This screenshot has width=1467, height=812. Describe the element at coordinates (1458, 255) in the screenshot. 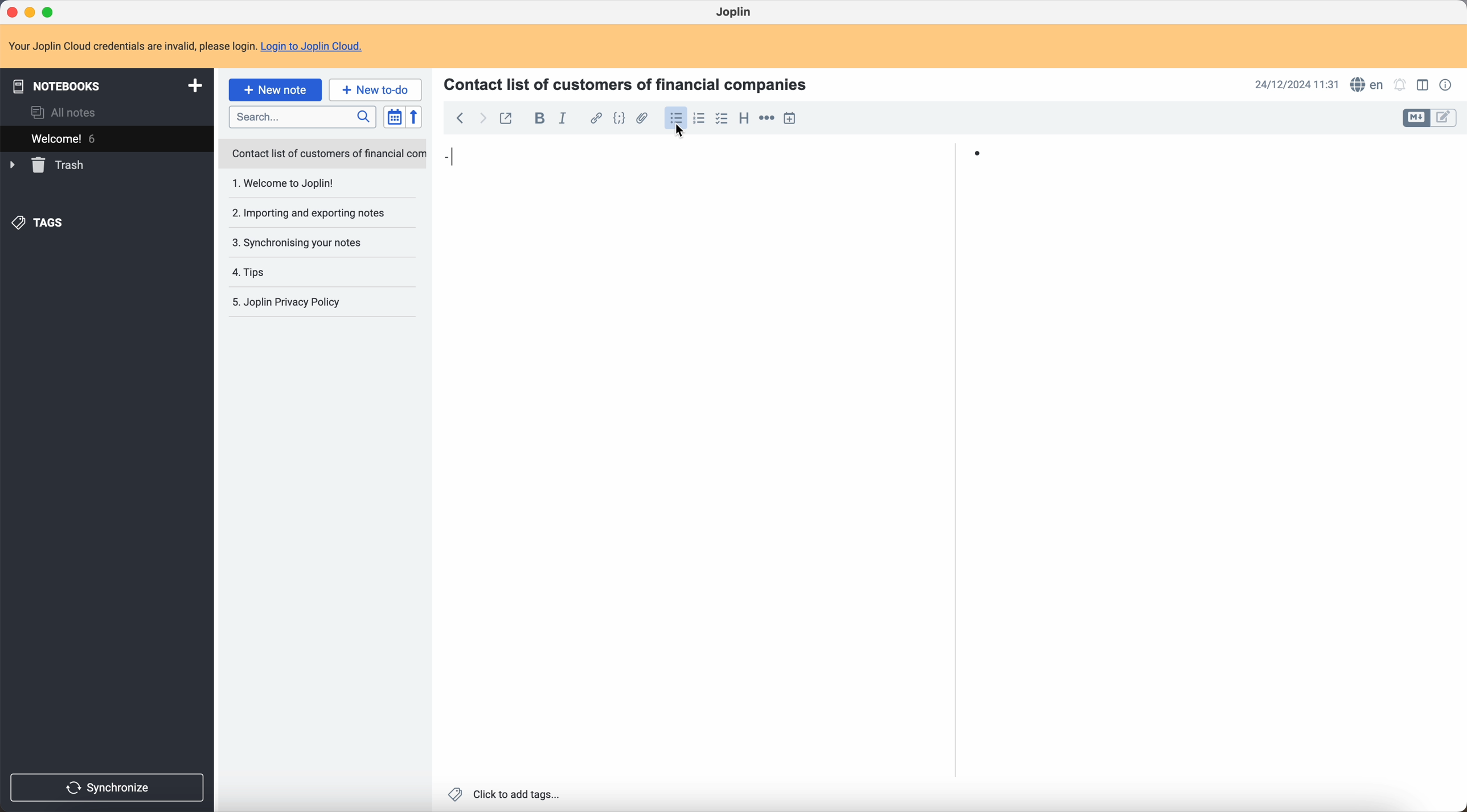

I see `scroll bar` at that location.